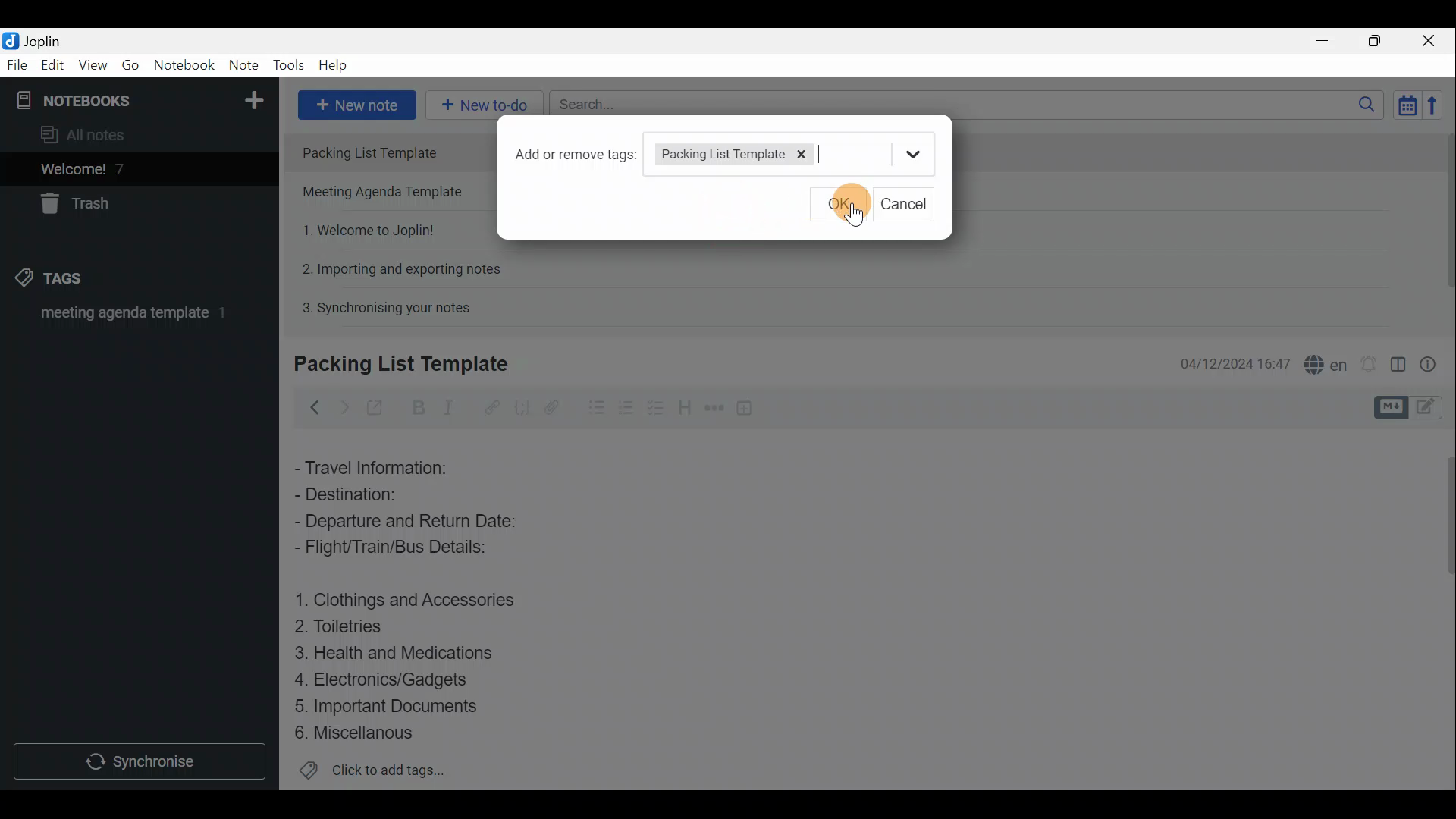 The height and width of the screenshot is (819, 1456). I want to click on Code, so click(522, 406).